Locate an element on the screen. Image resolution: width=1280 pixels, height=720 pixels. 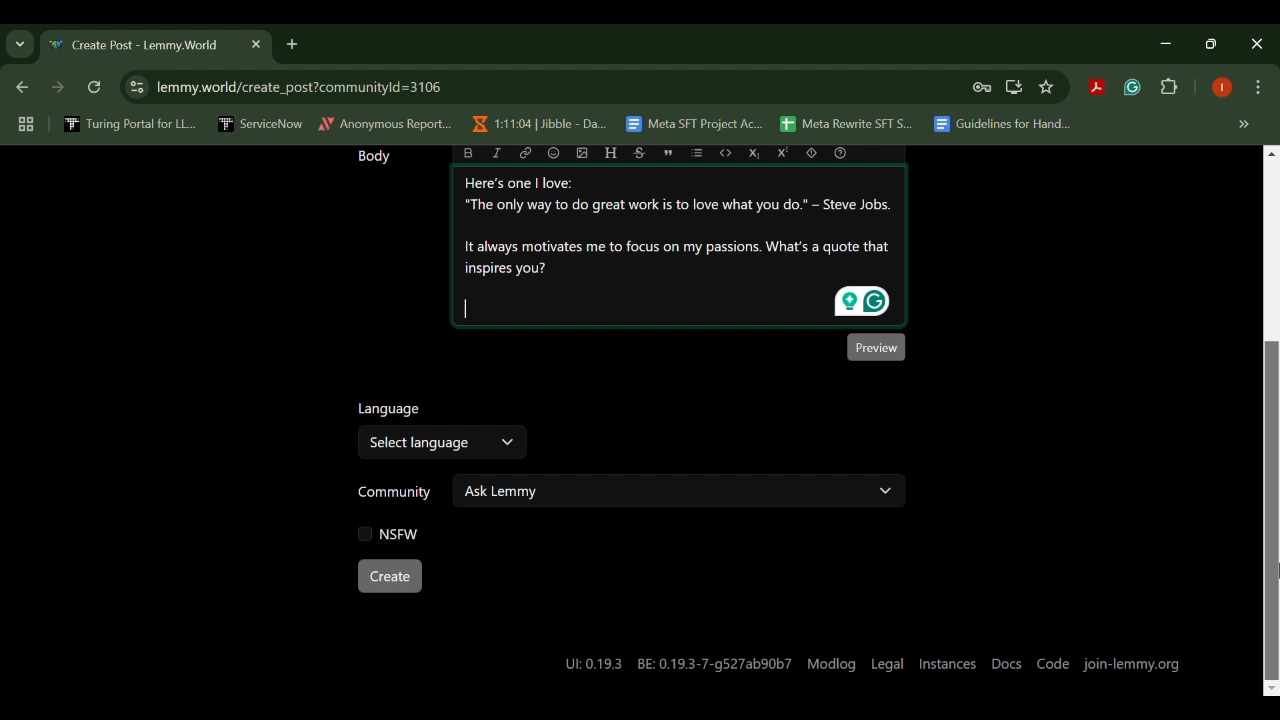
Previous Page Dropdown Menu is located at coordinates (20, 45).